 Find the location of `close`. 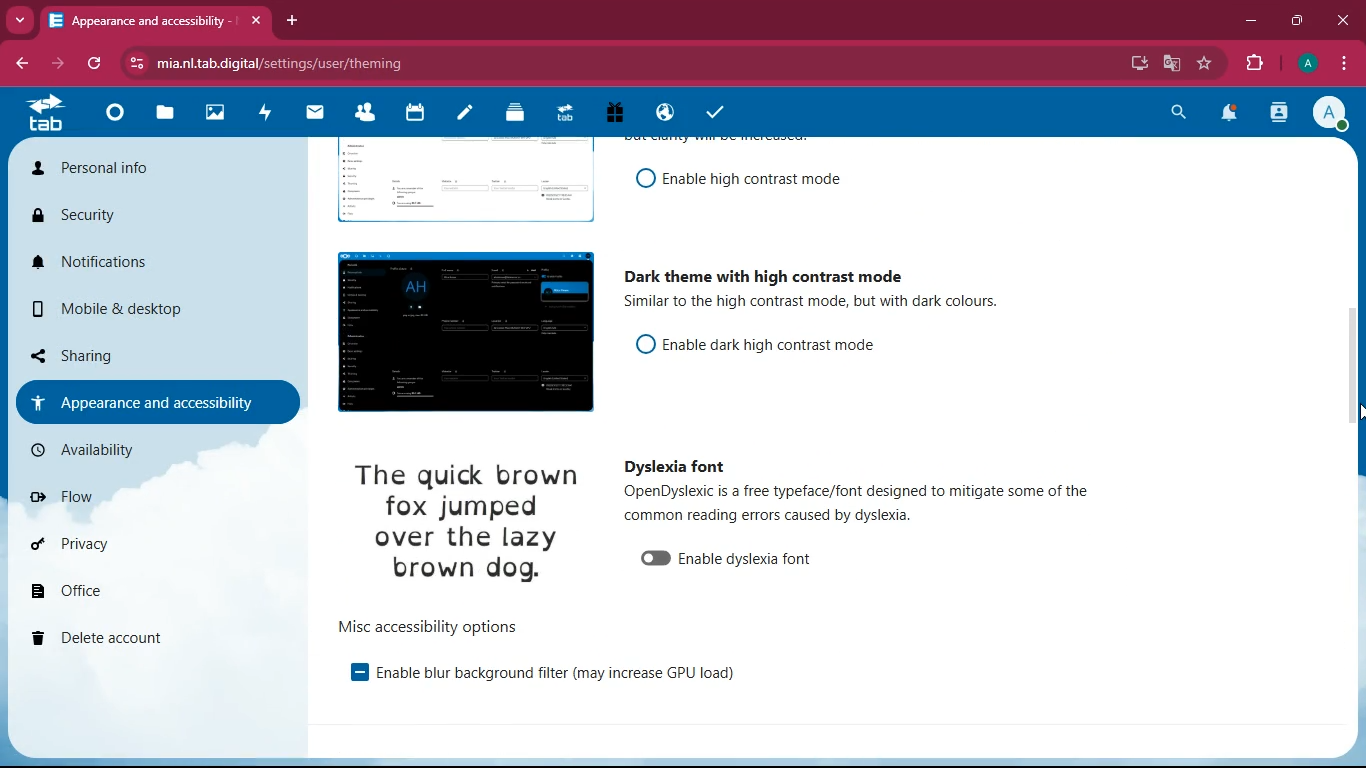

close is located at coordinates (1341, 23).